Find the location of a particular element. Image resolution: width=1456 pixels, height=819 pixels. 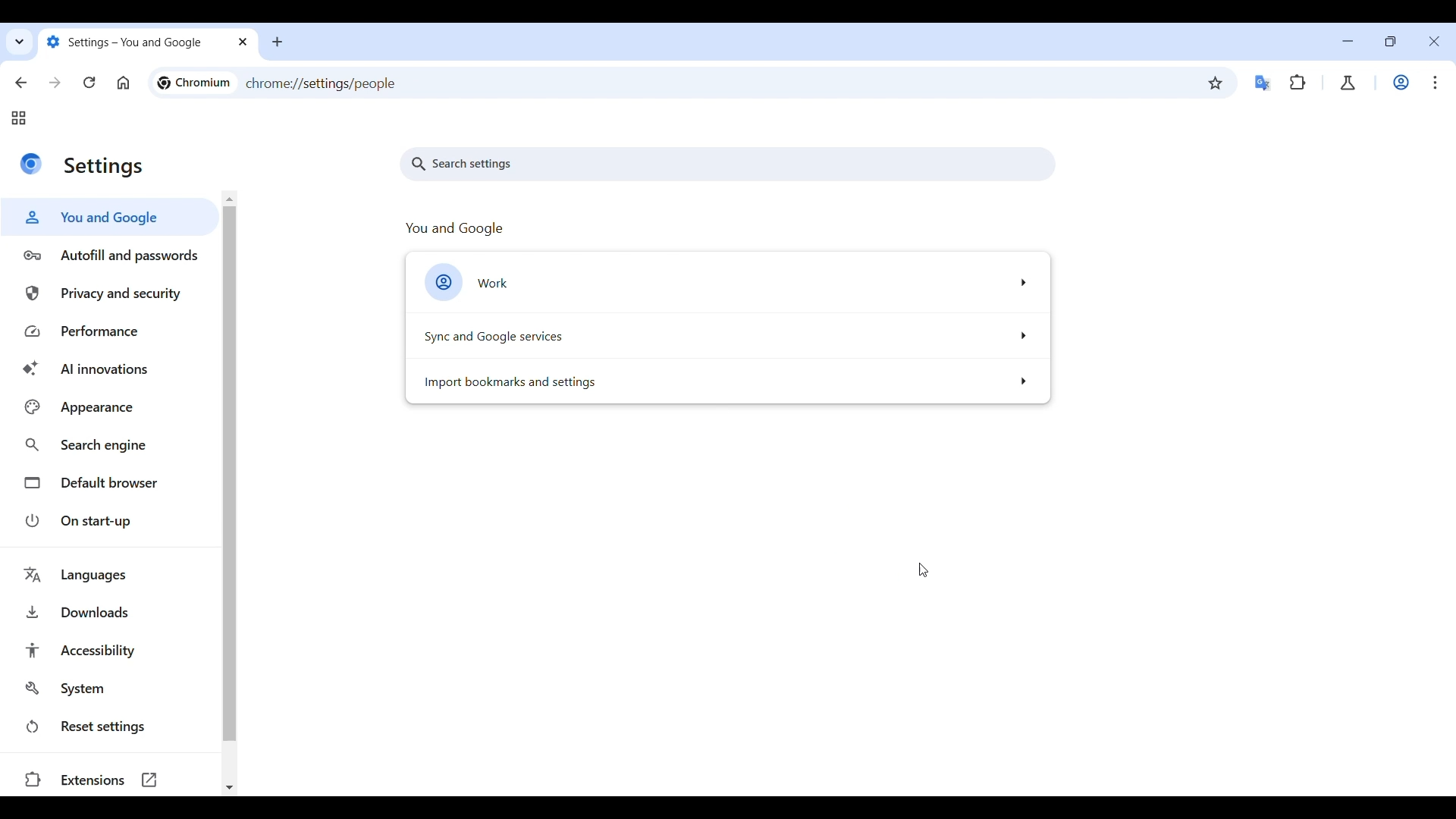

Default browser is located at coordinates (111, 482).